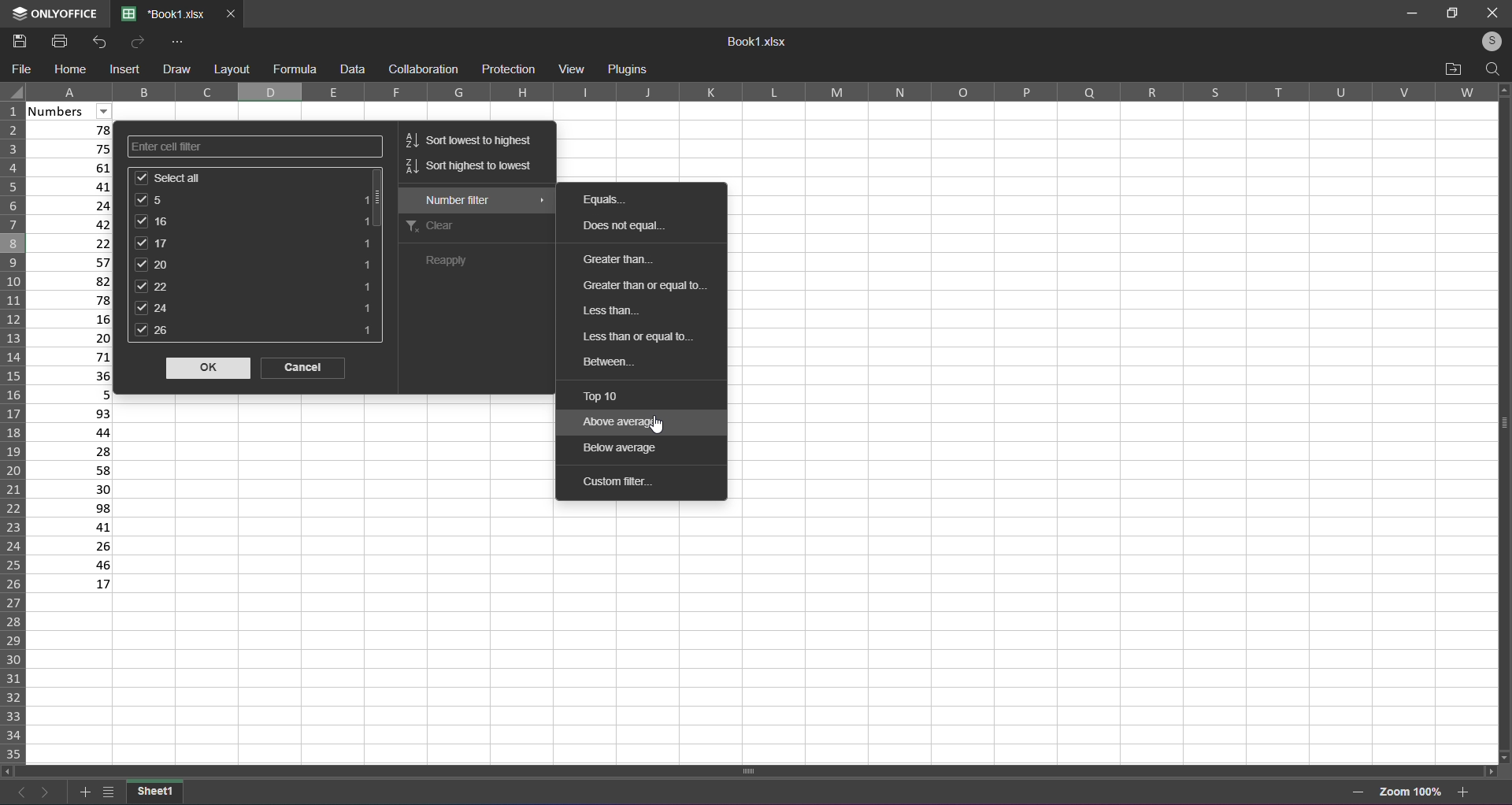  Describe the element at coordinates (51, 14) in the screenshot. I see `ONLYOFFICE` at that location.